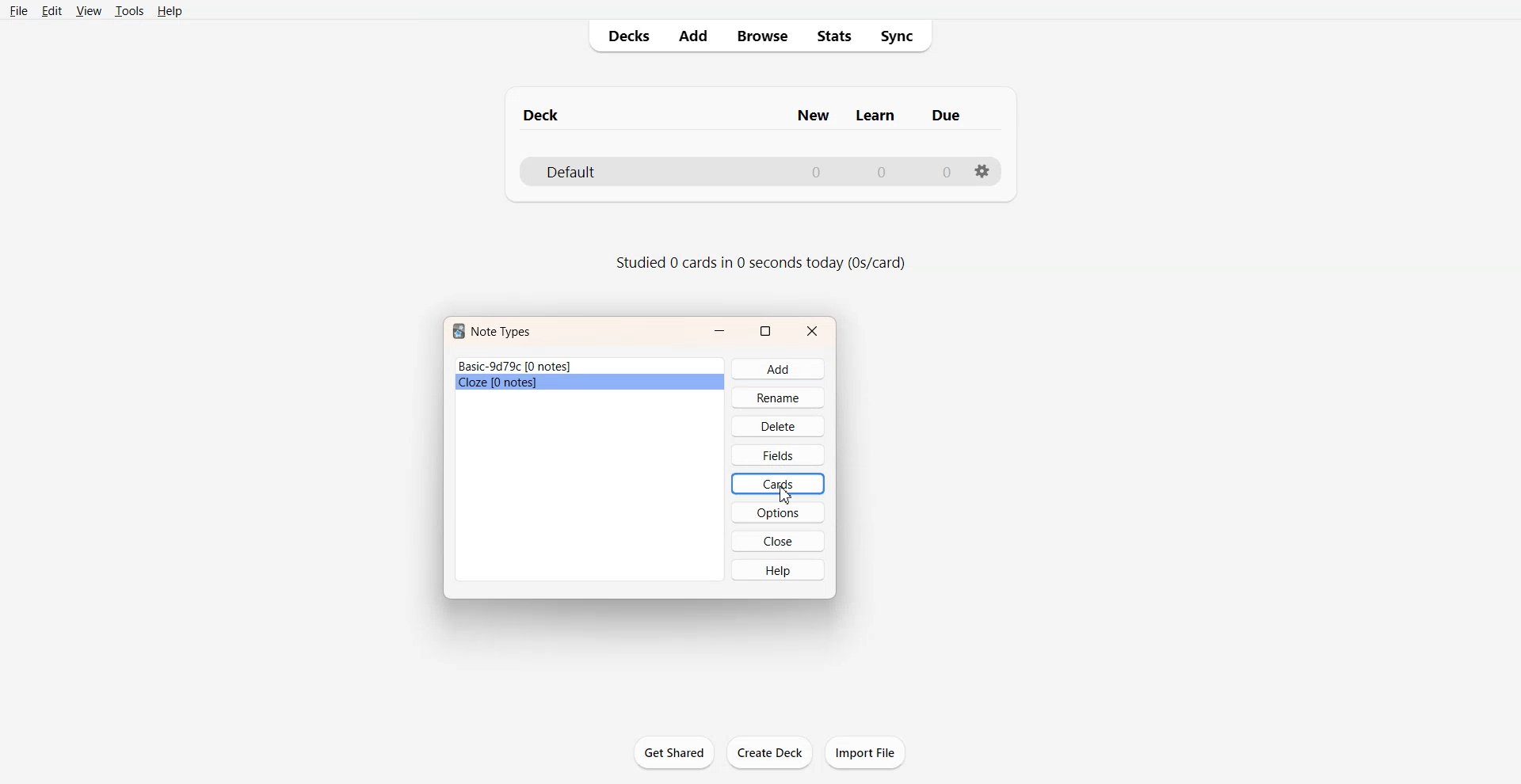  I want to click on Edit, so click(51, 10).